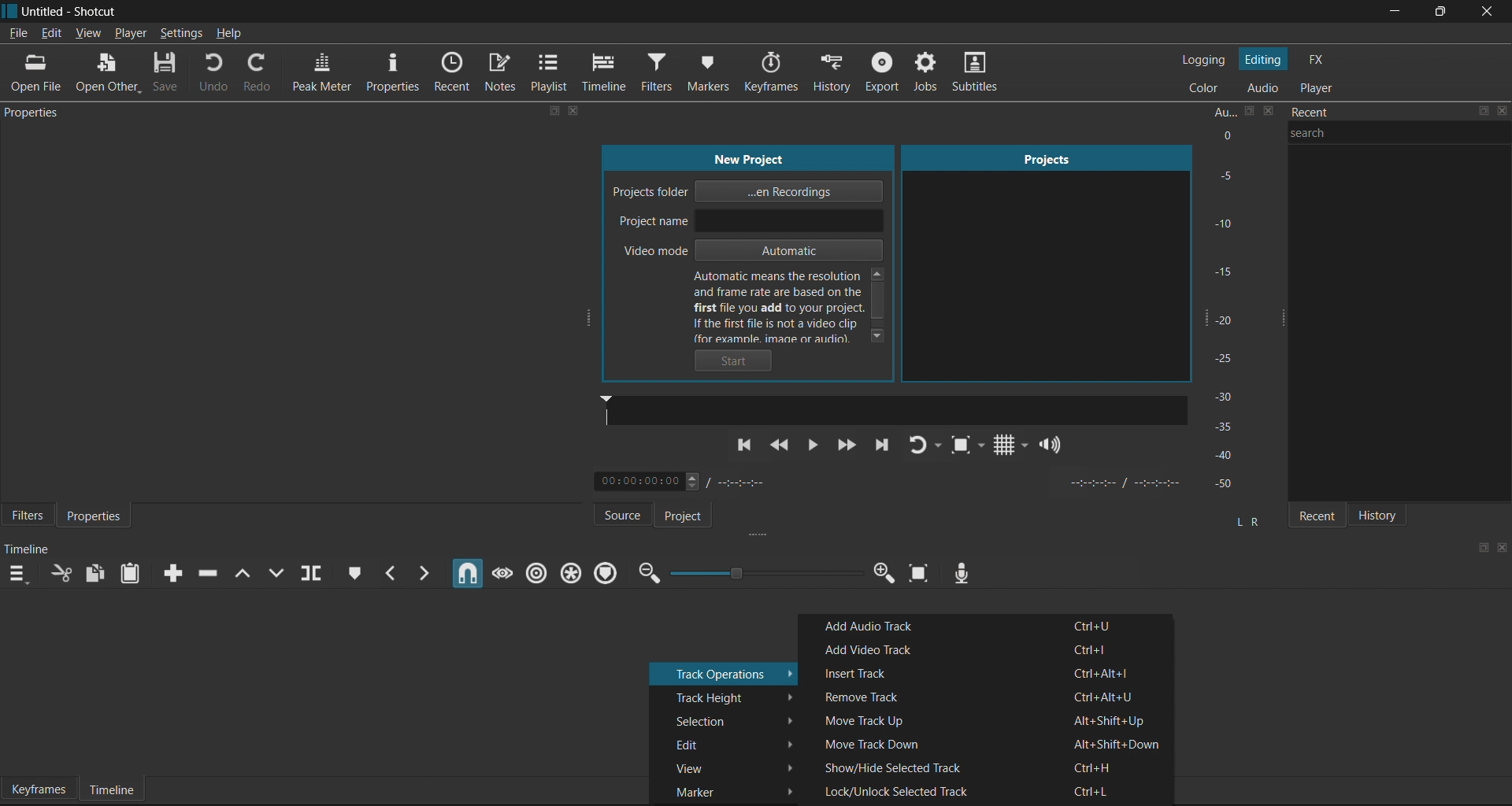 The width and height of the screenshot is (1512, 806). Describe the element at coordinates (1245, 516) in the screenshot. I see `l r` at that location.